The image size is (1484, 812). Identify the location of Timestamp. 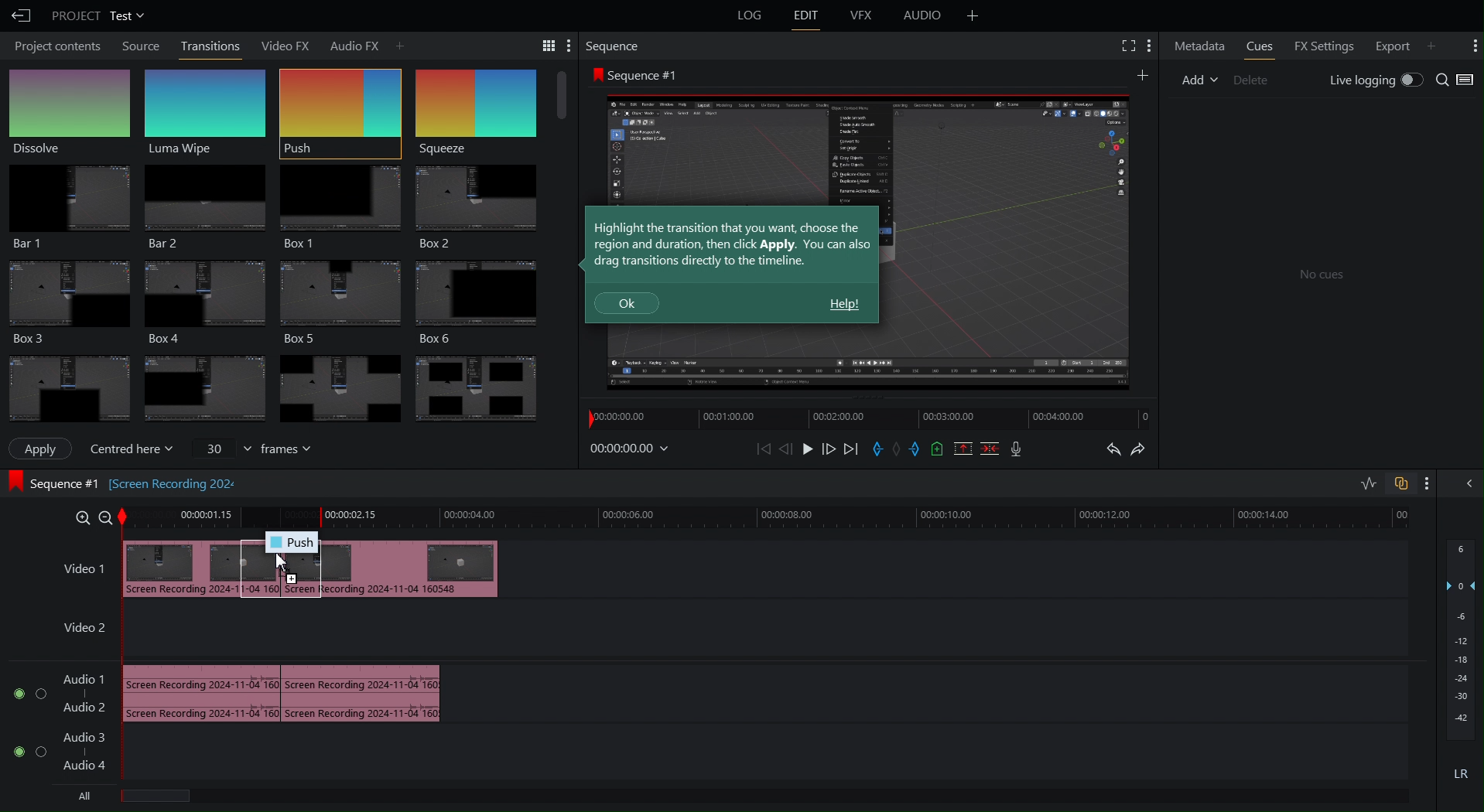
(630, 448).